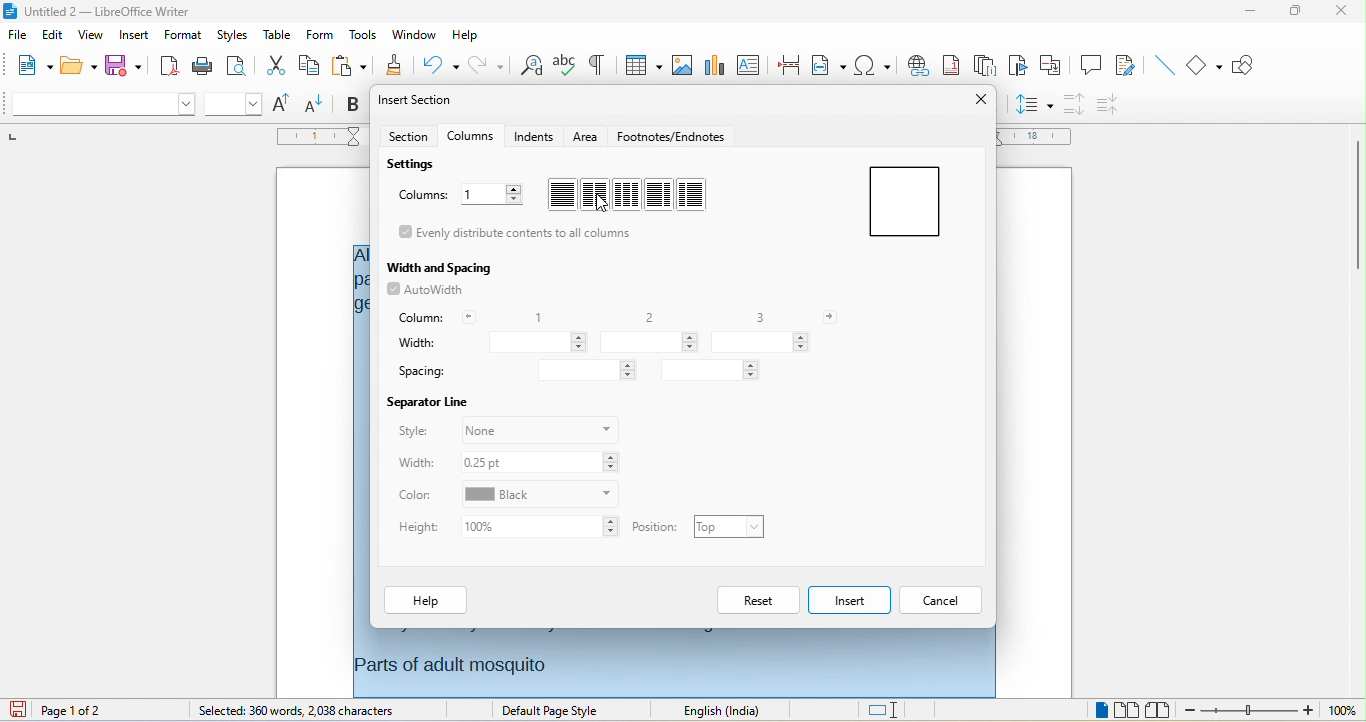  What do you see at coordinates (26, 65) in the screenshot?
I see `new` at bounding box center [26, 65].